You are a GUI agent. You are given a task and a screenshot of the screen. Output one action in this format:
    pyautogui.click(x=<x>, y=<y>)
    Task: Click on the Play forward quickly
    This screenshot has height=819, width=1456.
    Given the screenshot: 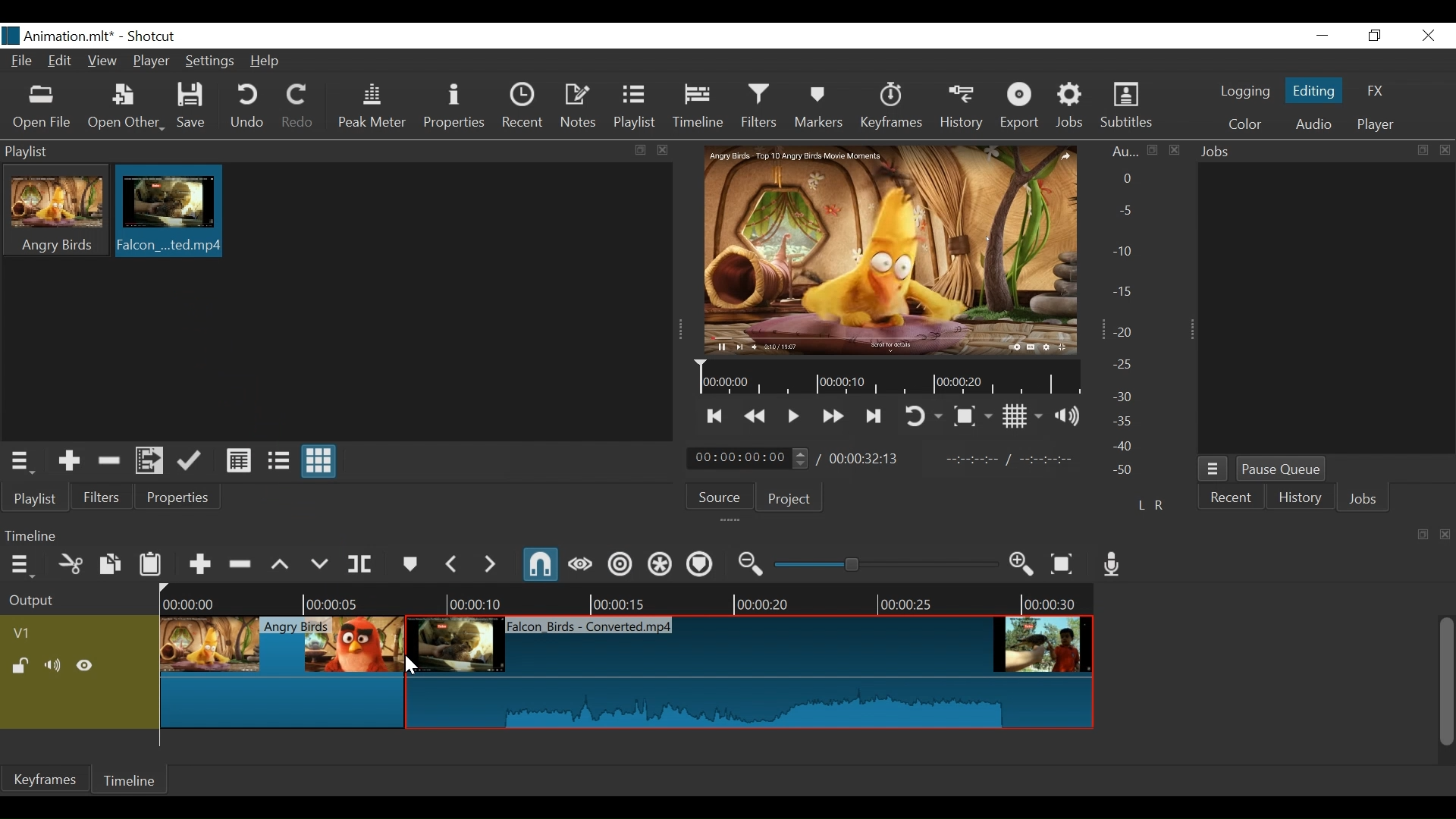 What is the action you would take?
    pyautogui.click(x=833, y=417)
    